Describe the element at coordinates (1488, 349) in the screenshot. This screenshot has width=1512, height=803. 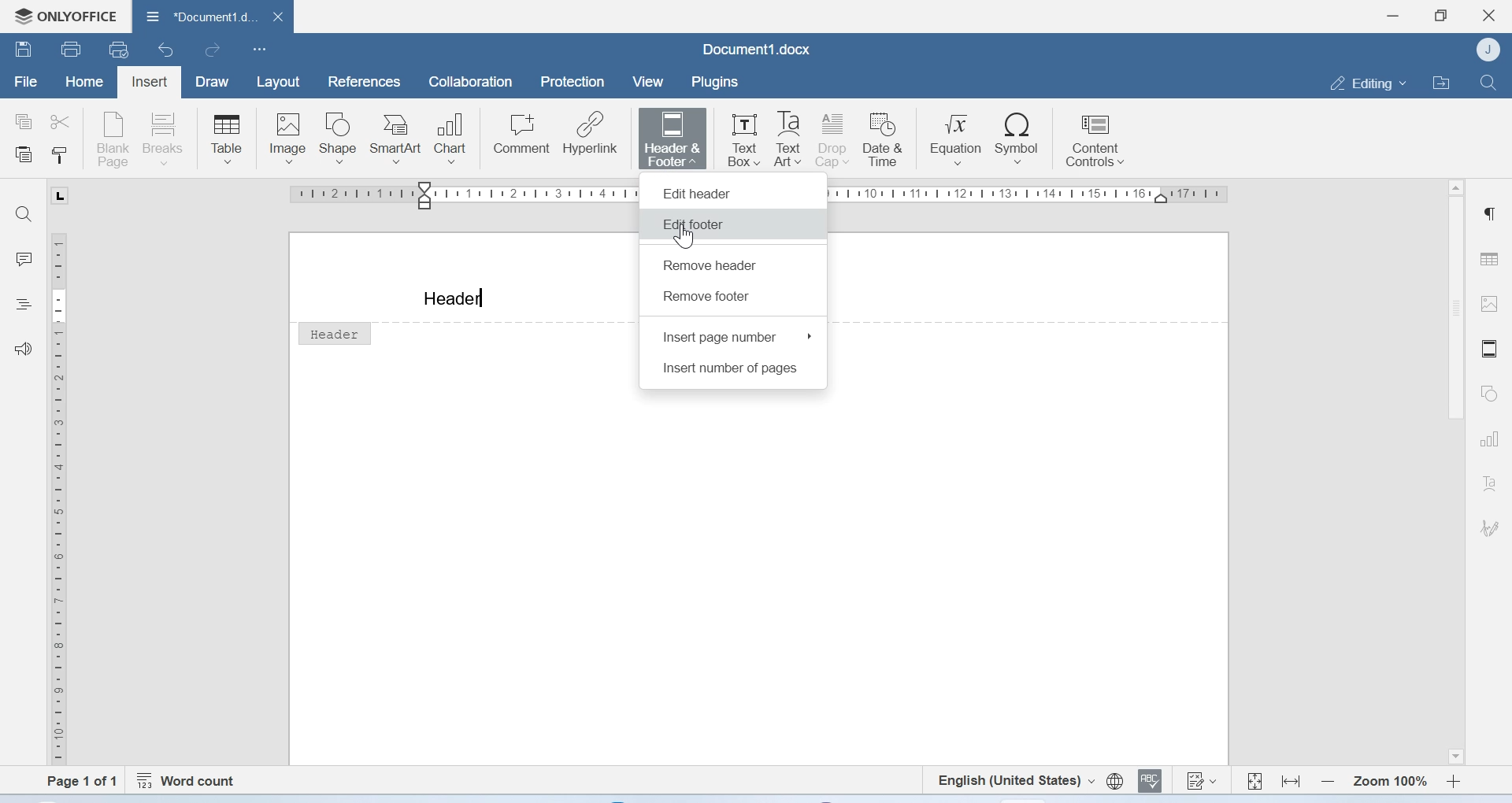
I see `Header and footer` at that location.